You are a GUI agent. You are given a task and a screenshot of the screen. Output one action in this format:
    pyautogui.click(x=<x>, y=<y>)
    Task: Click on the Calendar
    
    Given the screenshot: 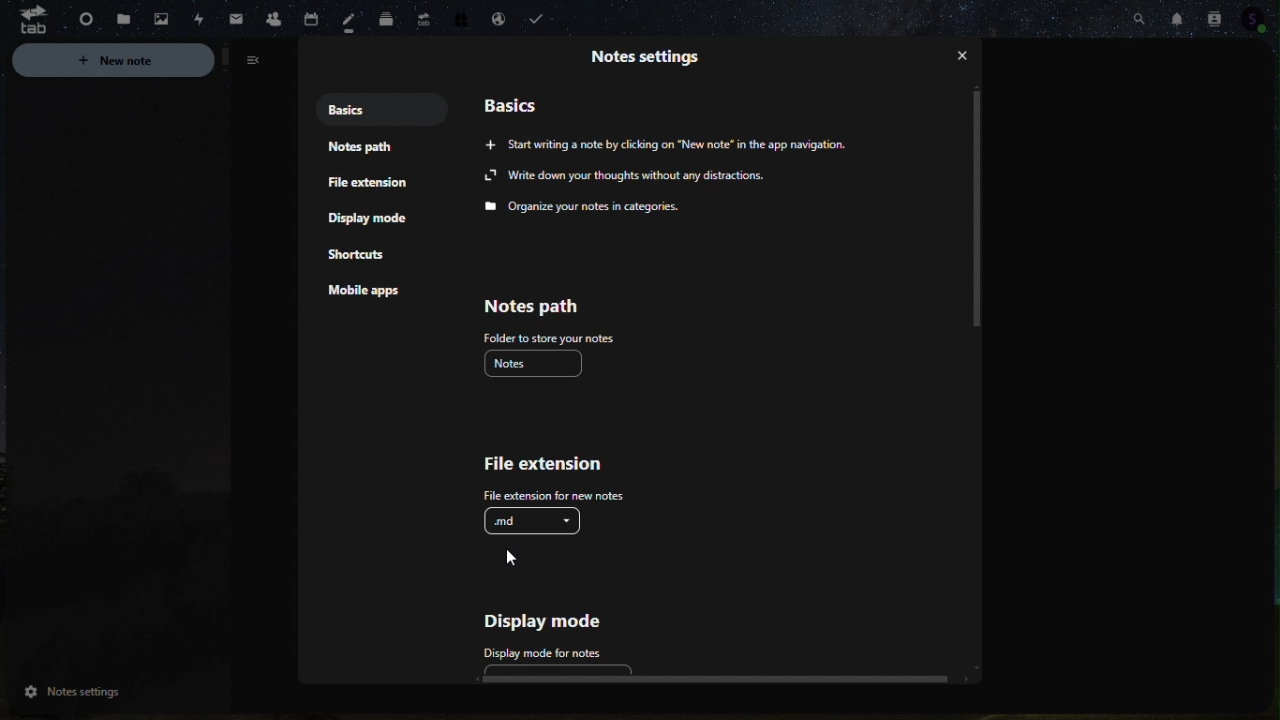 What is the action you would take?
    pyautogui.click(x=319, y=15)
    